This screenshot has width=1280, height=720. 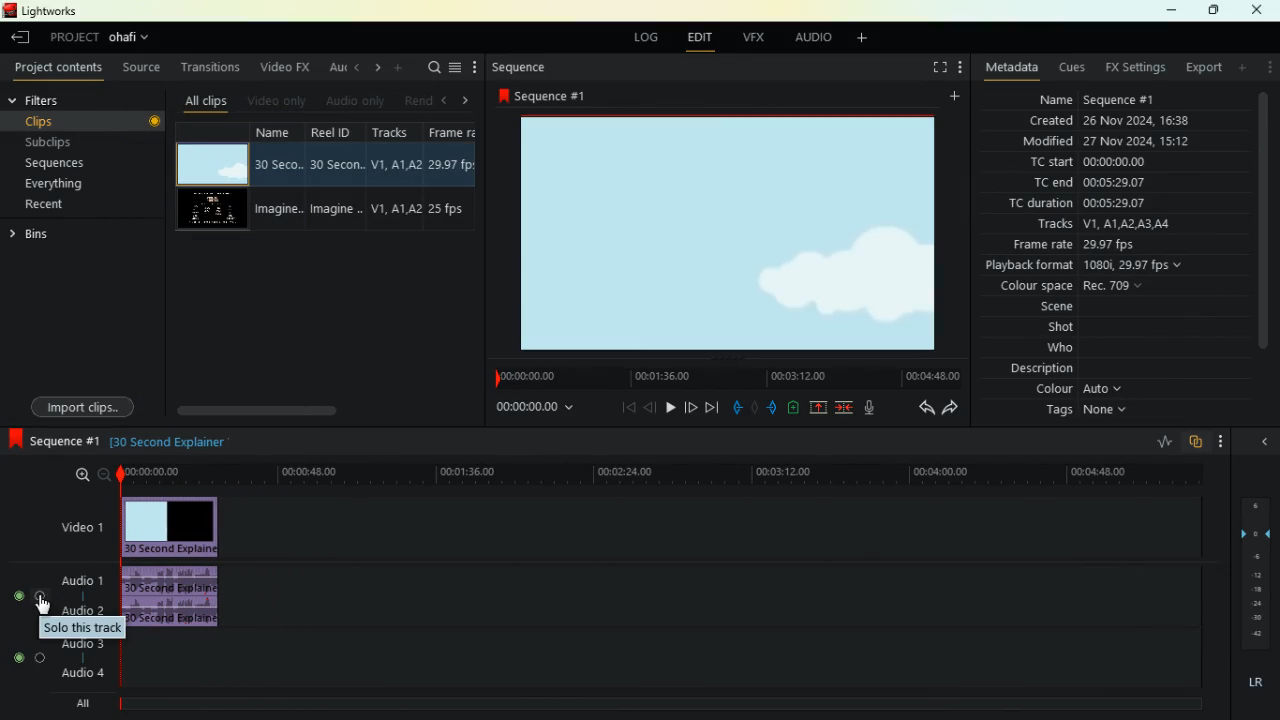 What do you see at coordinates (357, 70) in the screenshot?
I see `left` at bounding box center [357, 70].